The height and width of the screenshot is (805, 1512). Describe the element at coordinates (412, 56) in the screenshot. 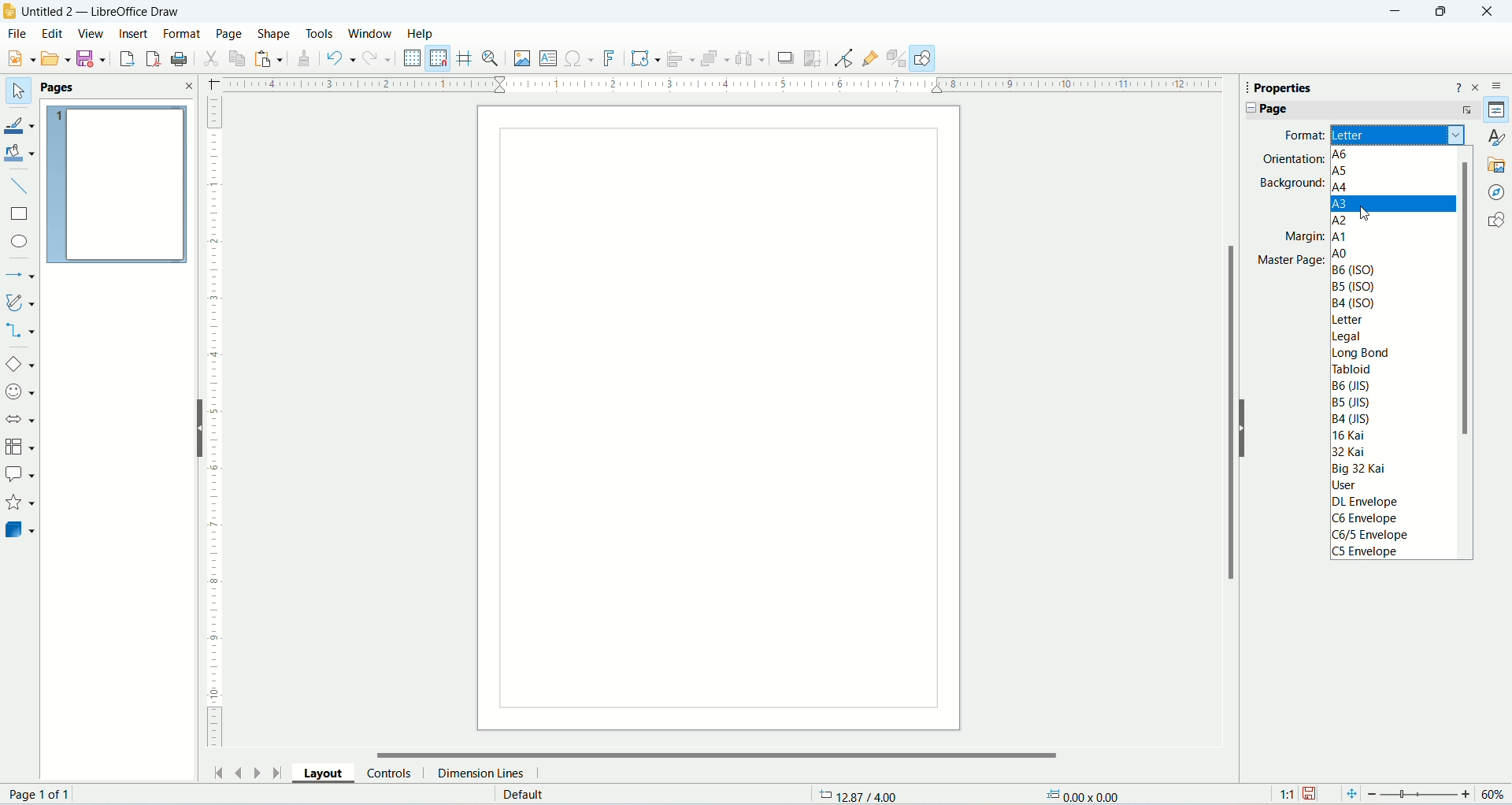

I see `display grid` at that location.